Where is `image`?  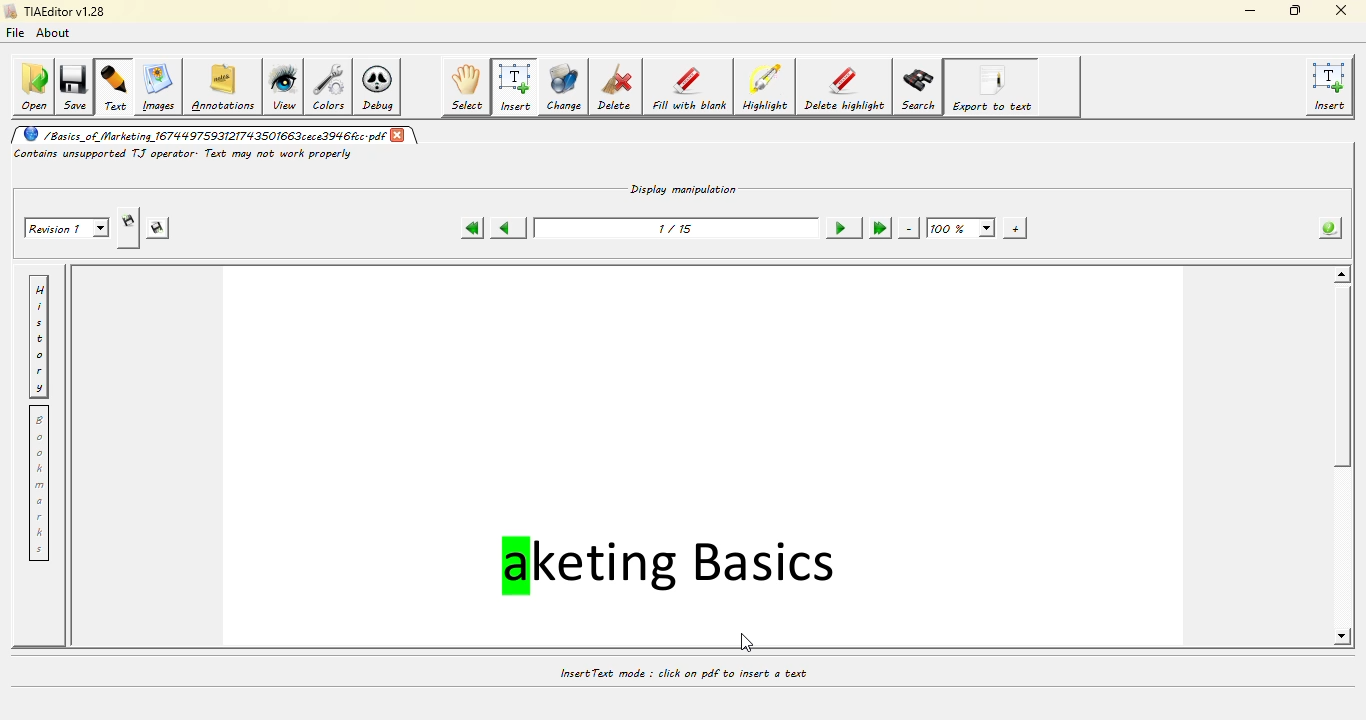
image is located at coordinates (159, 86).